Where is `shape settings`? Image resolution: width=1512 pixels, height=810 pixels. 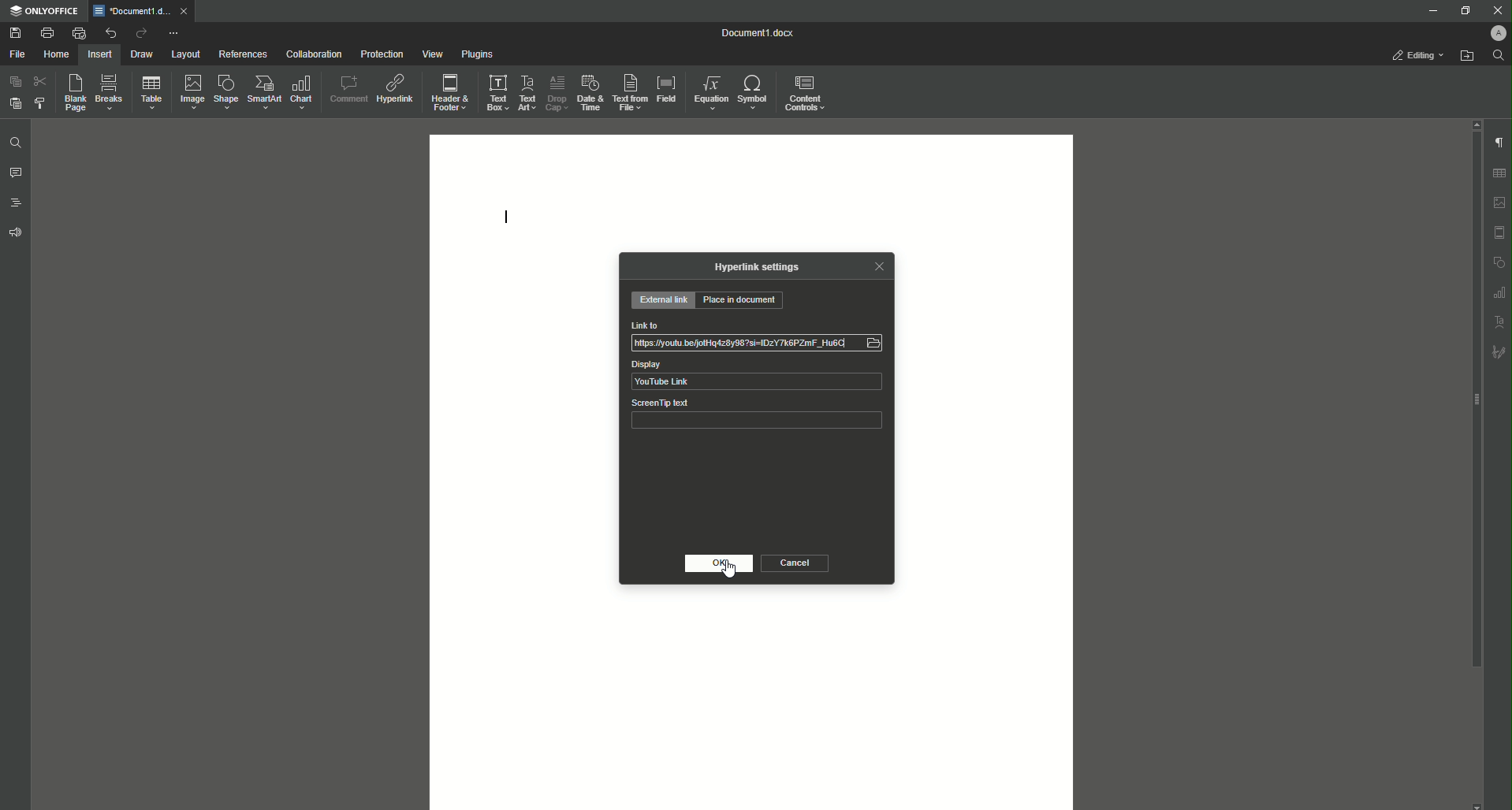
shape settings is located at coordinates (1500, 262).